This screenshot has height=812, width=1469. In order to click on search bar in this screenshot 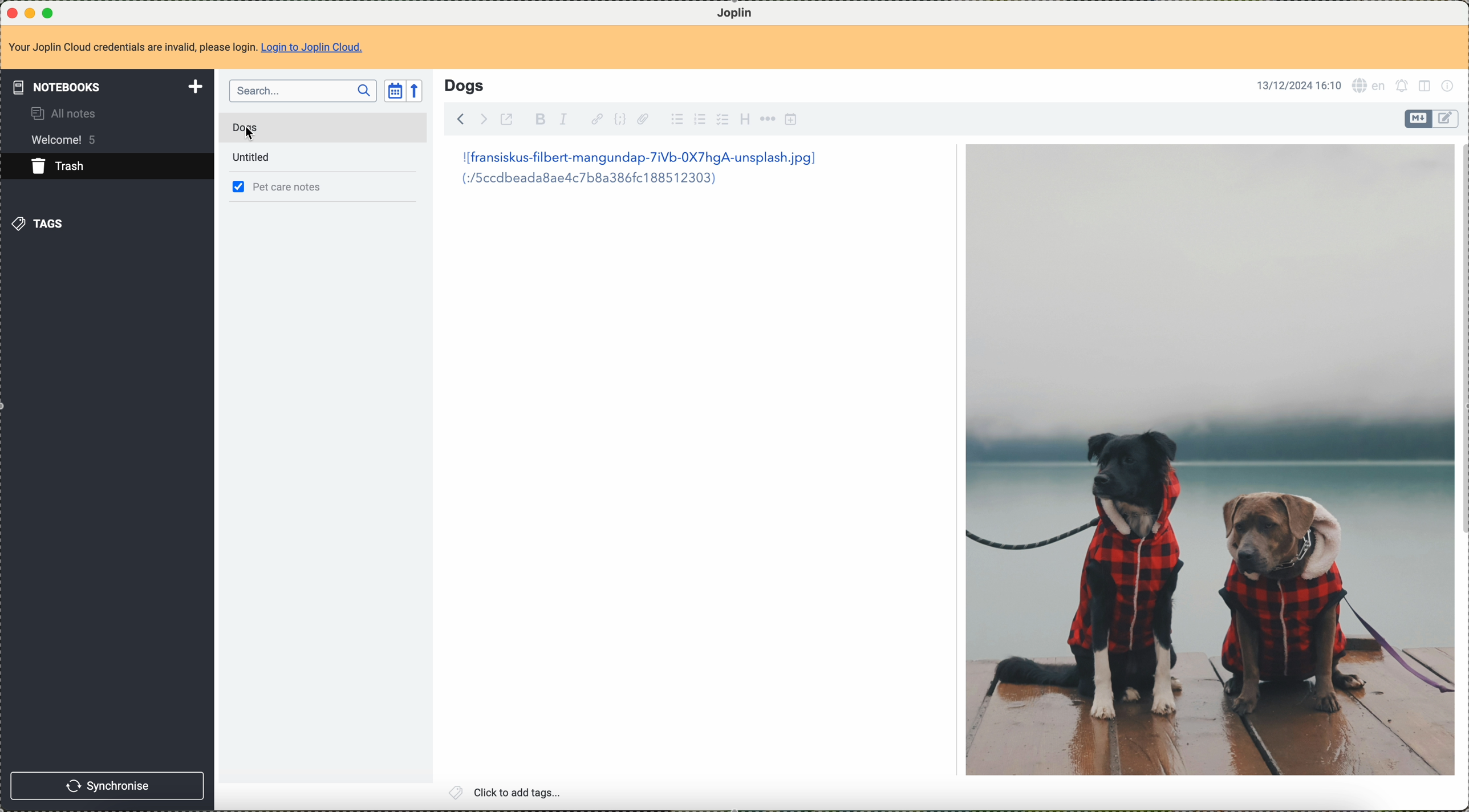, I will do `click(302, 92)`.